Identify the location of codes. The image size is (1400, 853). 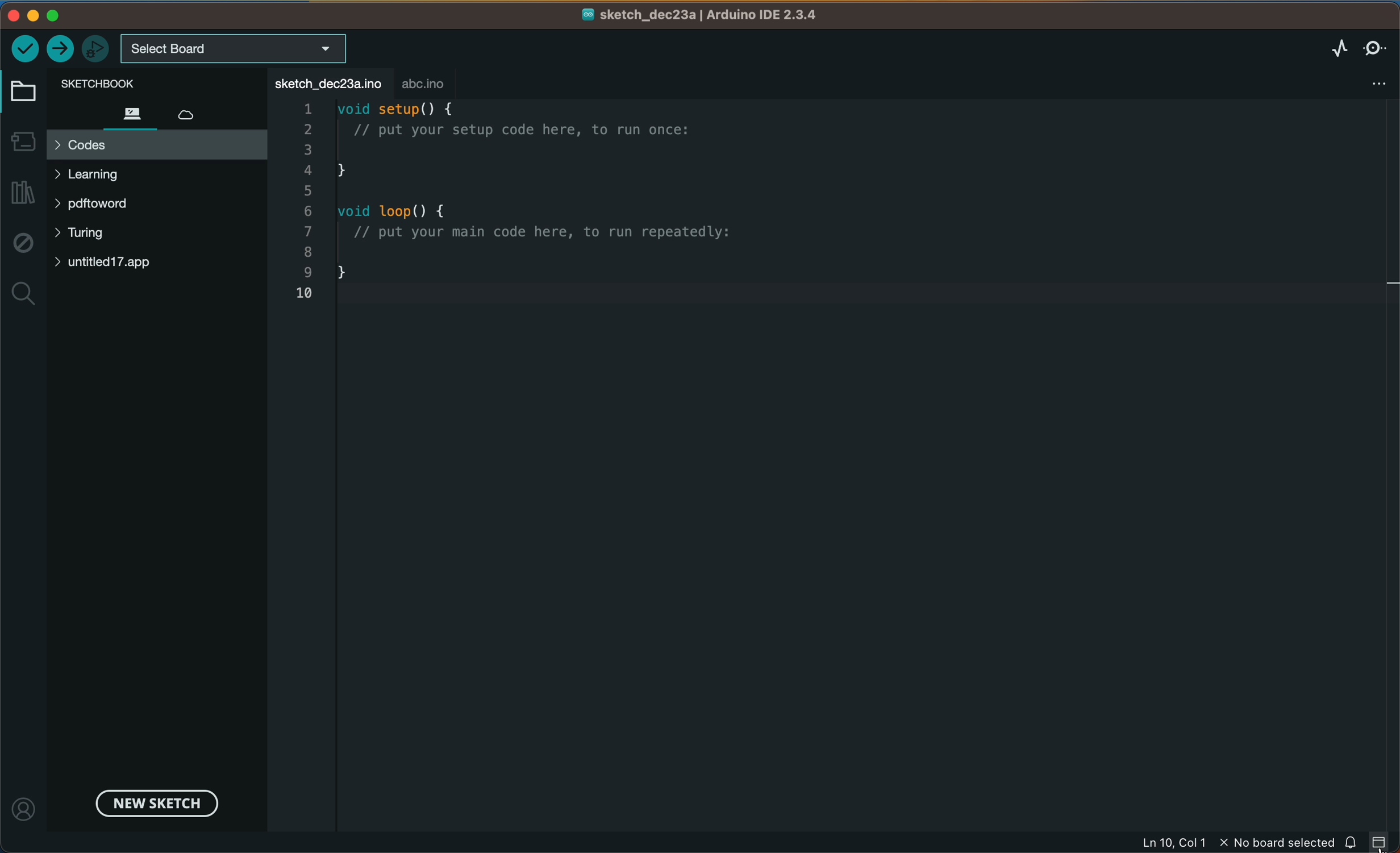
(155, 144).